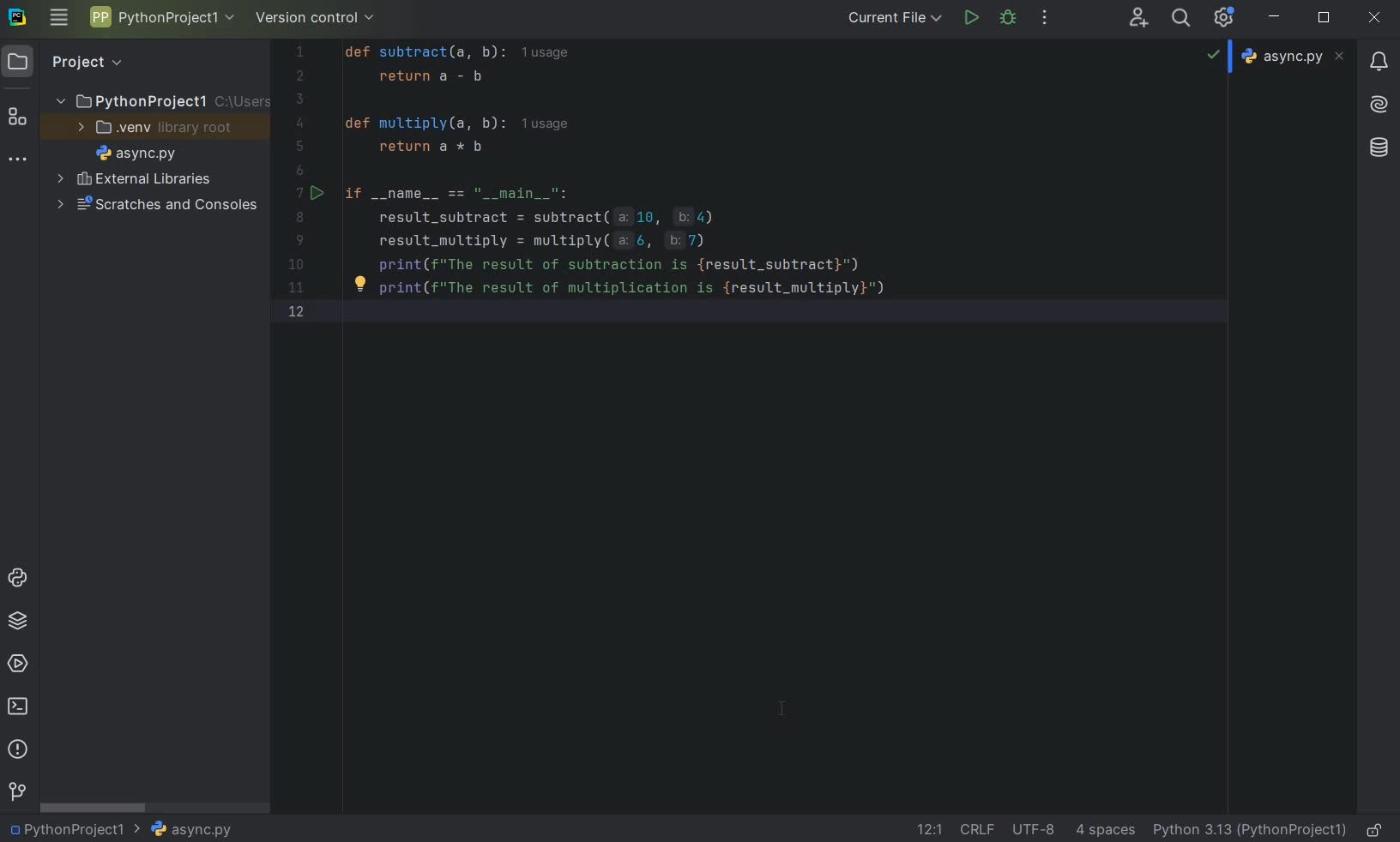  Describe the element at coordinates (18, 160) in the screenshot. I see `MORE TOOL WINDOWS` at that location.